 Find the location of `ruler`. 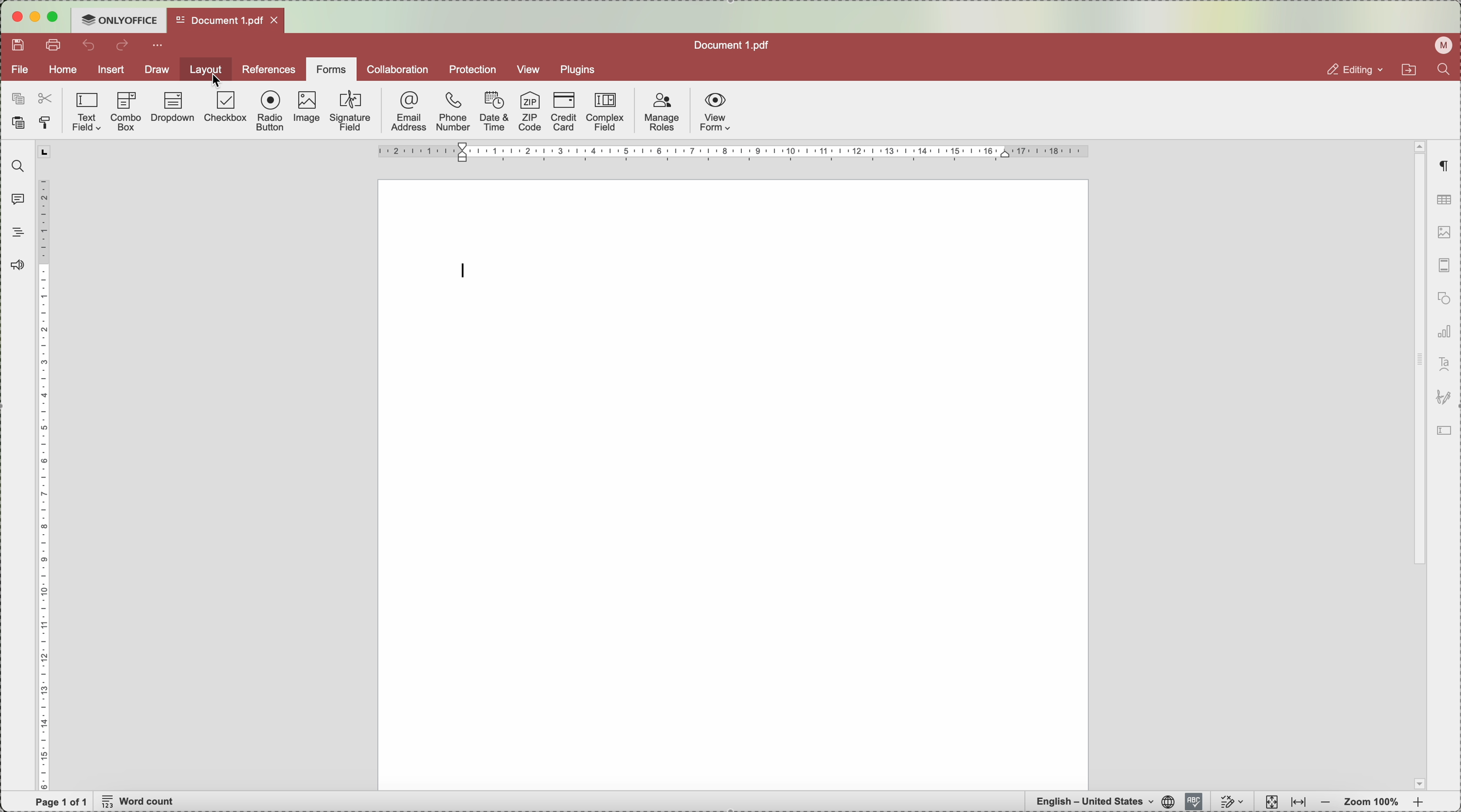

ruler is located at coordinates (732, 151).